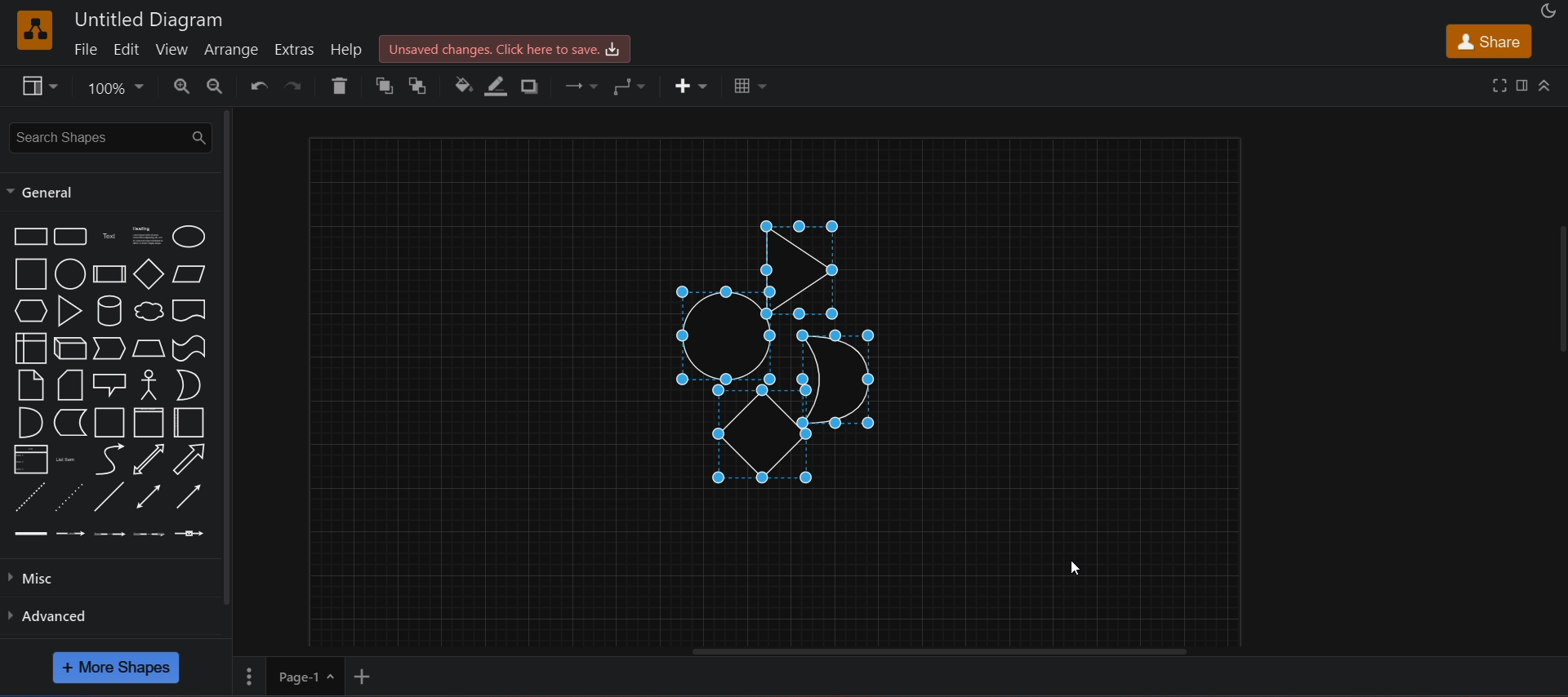 The width and height of the screenshot is (1568, 697). I want to click on redo, so click(299, 86).